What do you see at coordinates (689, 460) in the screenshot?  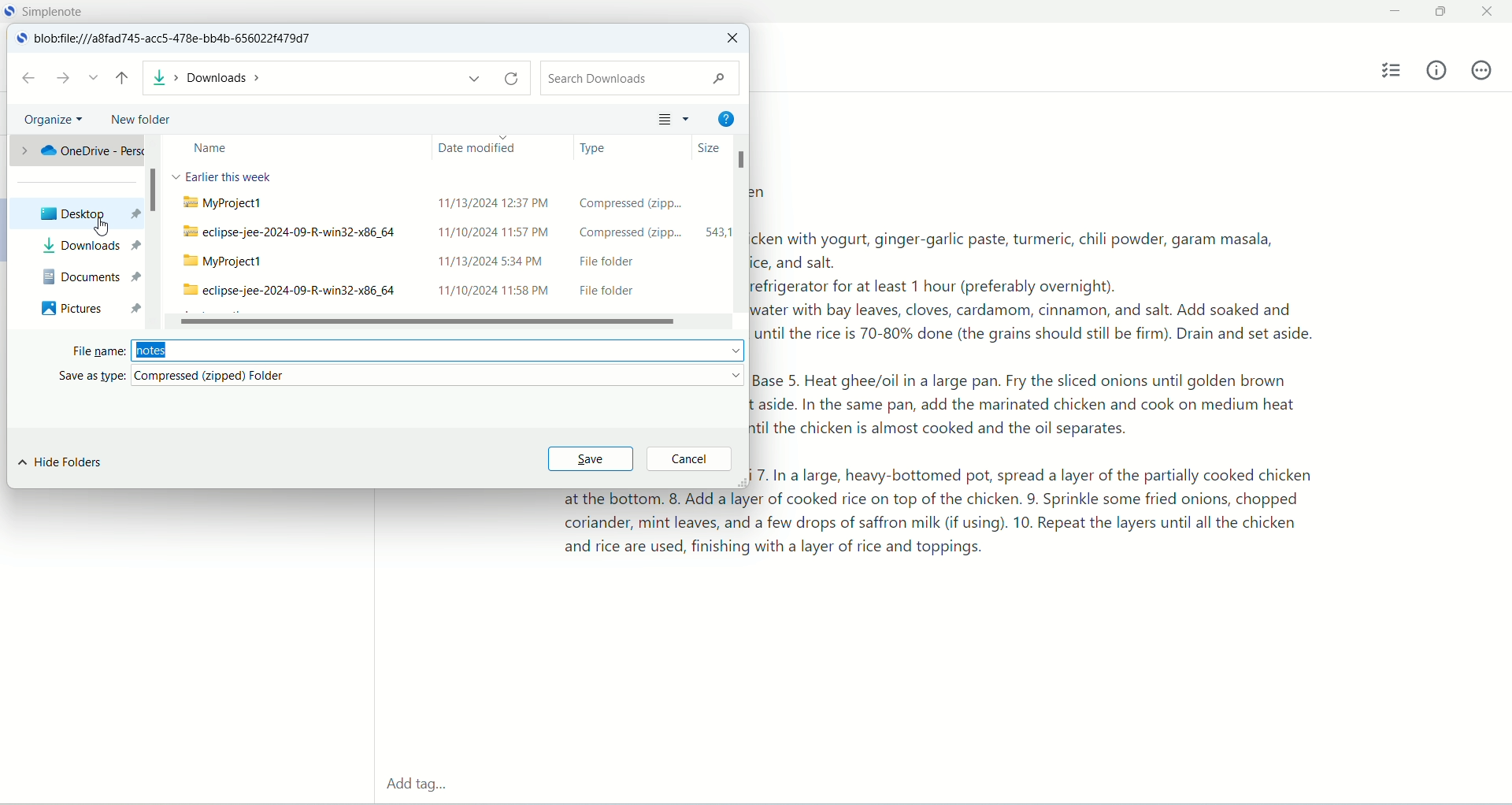 I see `cancel` at bounding box center [689, 460].